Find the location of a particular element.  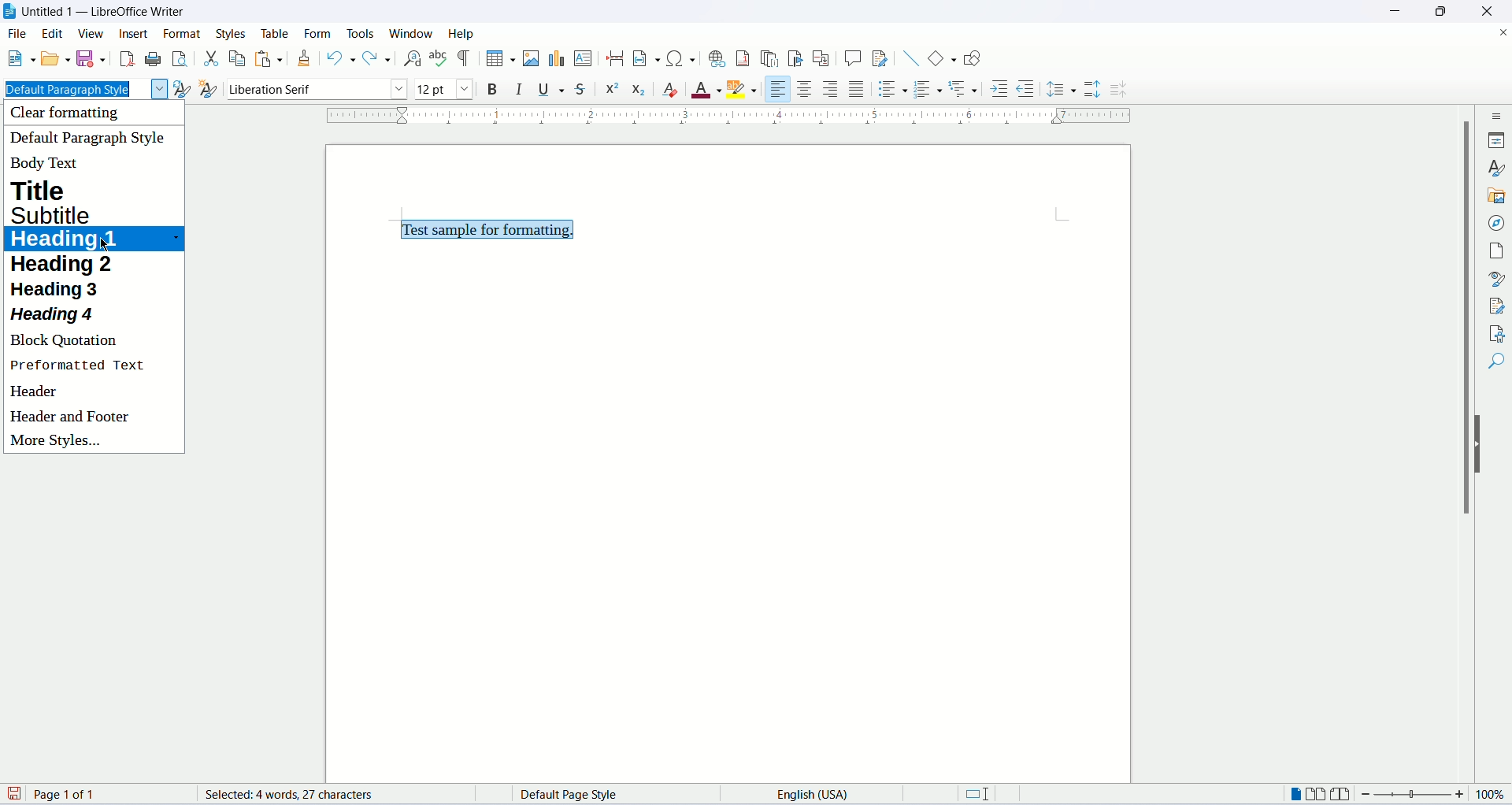

view is located at coordinates (92, 33).